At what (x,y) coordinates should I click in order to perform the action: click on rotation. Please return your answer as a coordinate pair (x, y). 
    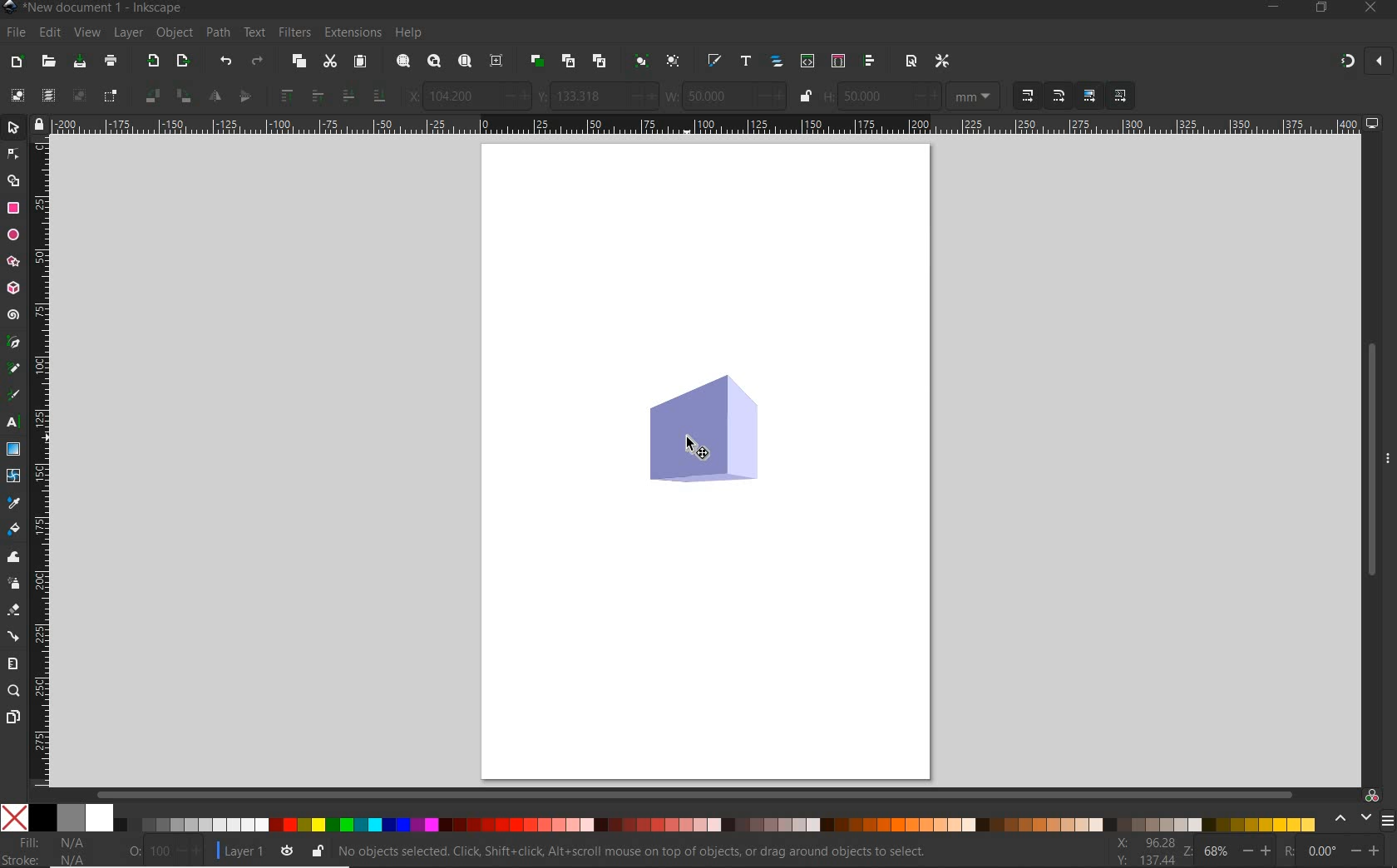
    Looking at the image, I should click on (1286, 851).